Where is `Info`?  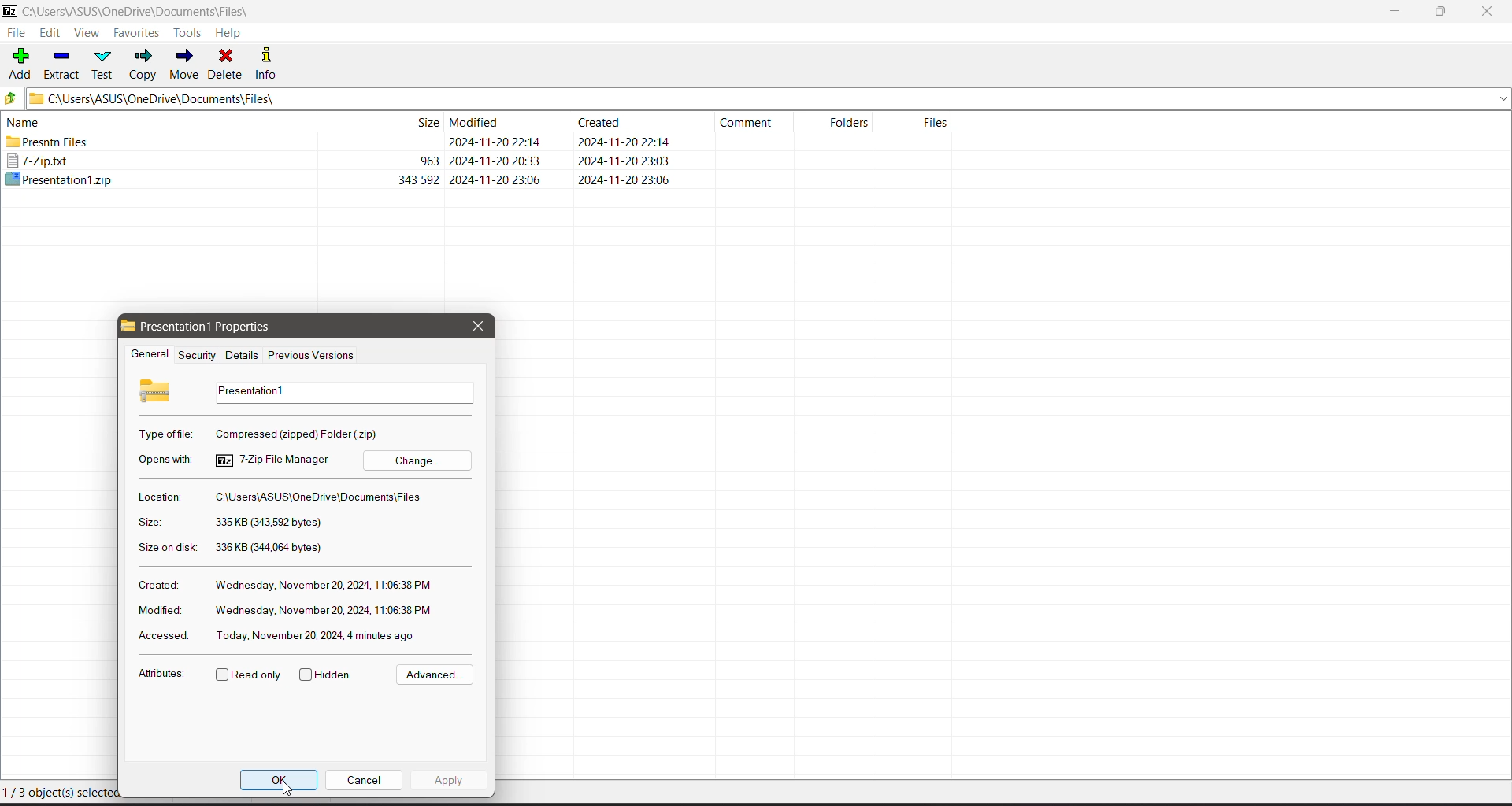
Info is located at coordinates (272, 63).